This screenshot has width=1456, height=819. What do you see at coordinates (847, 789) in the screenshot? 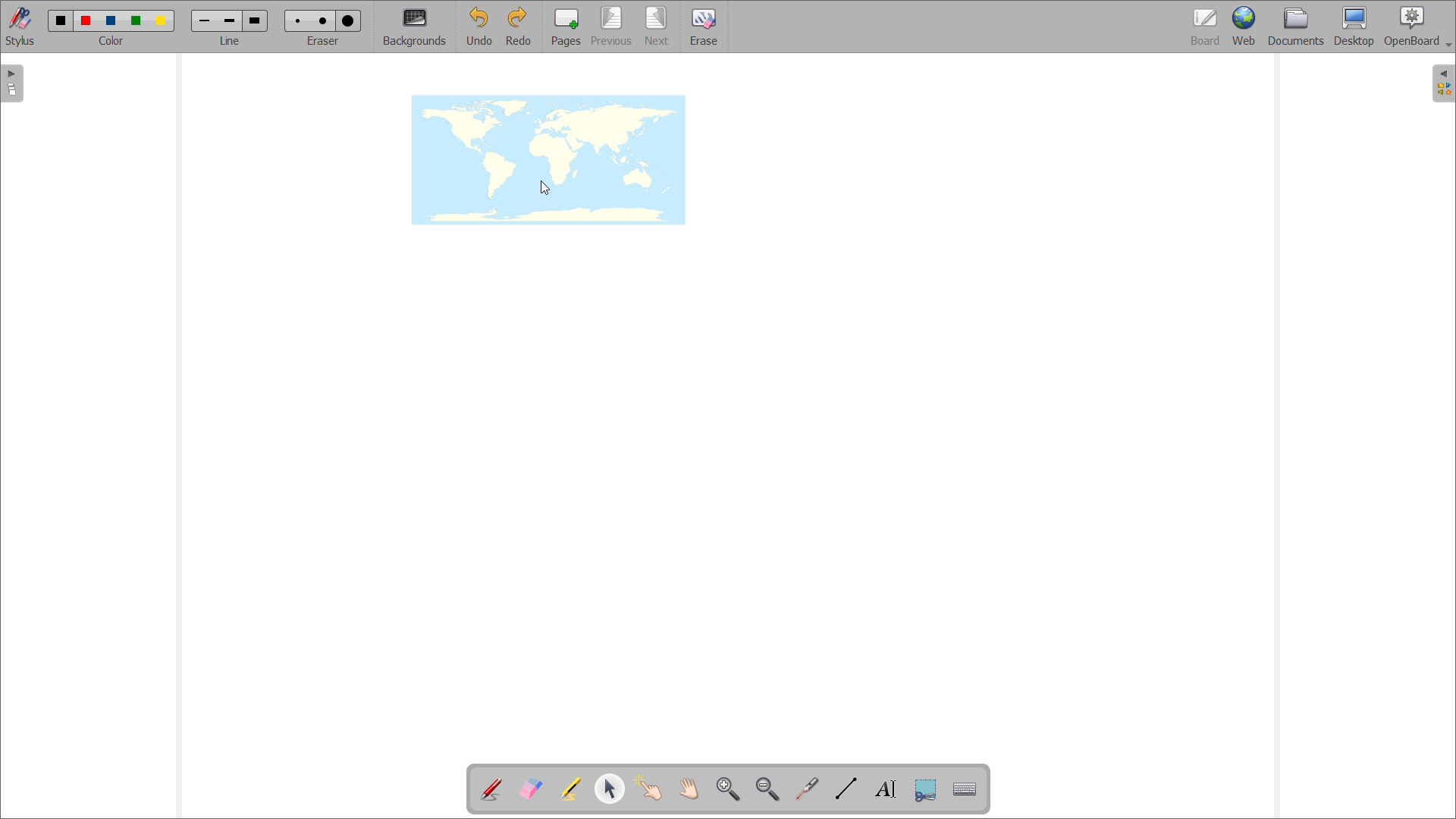
I see `draw lines` at bounding box center [847, 789].